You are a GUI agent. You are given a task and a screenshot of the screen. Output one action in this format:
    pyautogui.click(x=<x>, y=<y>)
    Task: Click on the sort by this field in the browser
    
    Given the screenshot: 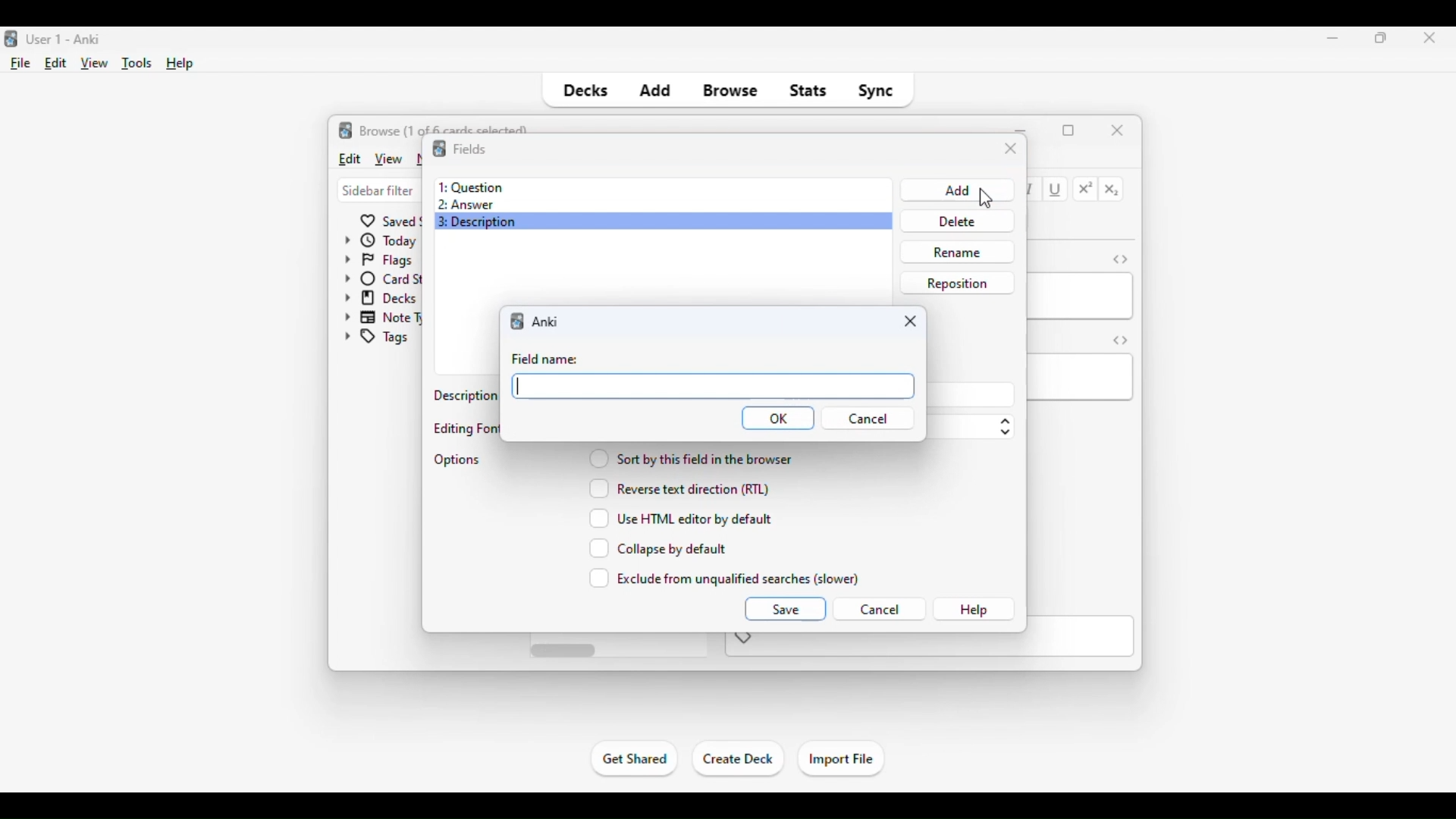 What is the action you would take?
    pyautogui.click(x=690, y=457)
    